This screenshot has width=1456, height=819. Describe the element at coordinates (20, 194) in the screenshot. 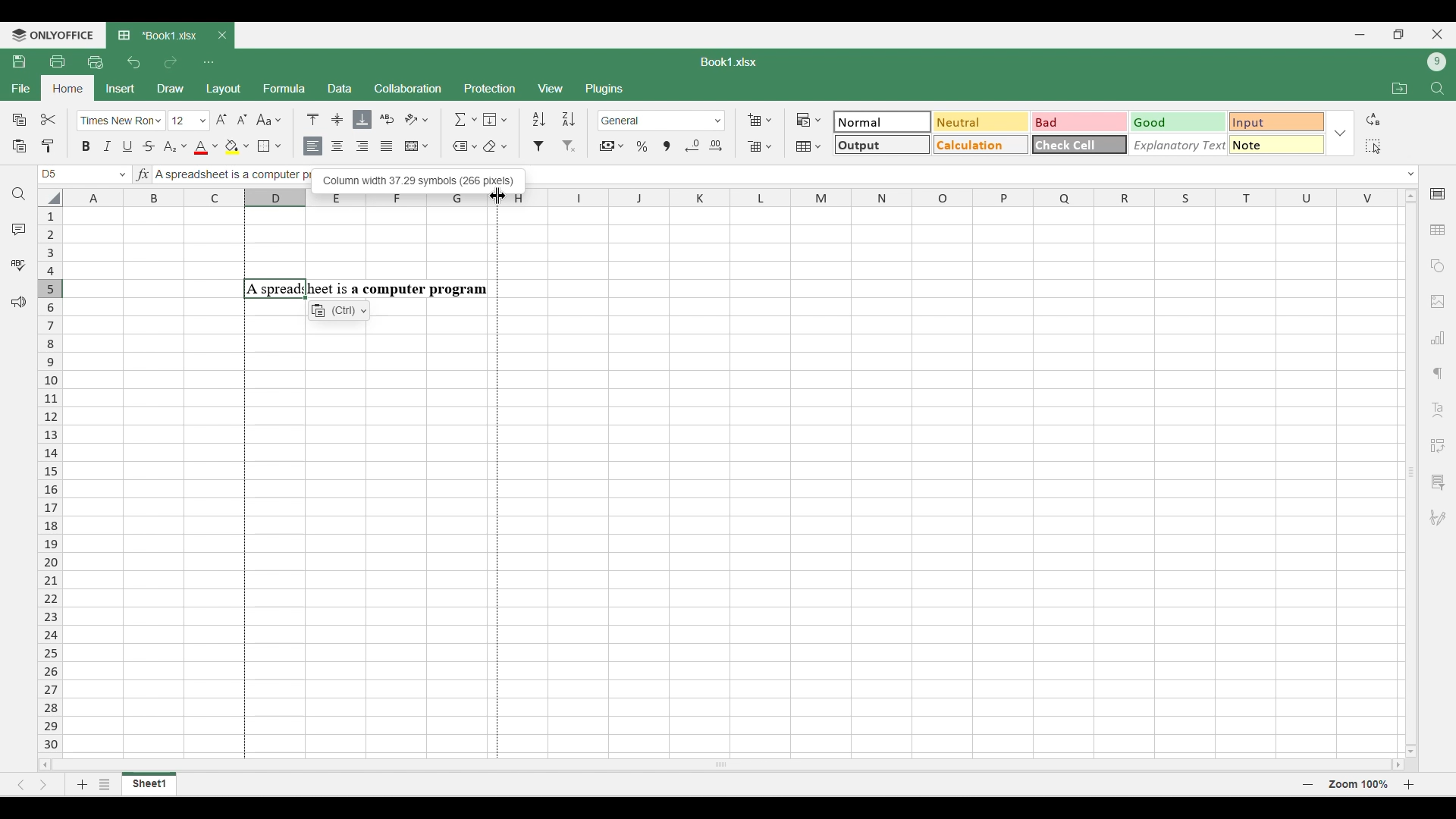

I see `Search` at that location.